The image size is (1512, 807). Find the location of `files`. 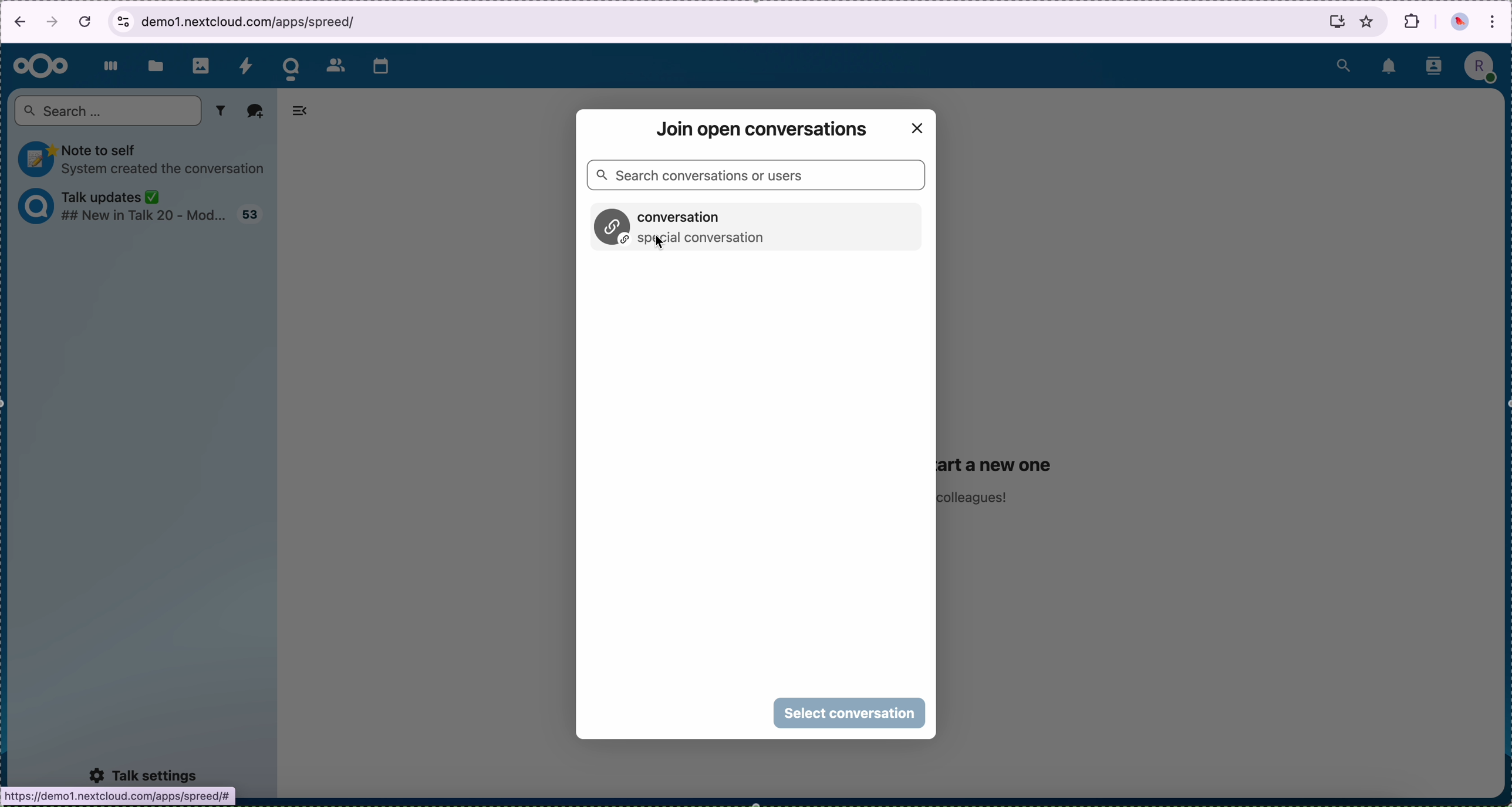

files is located at coordinates (157, 64).